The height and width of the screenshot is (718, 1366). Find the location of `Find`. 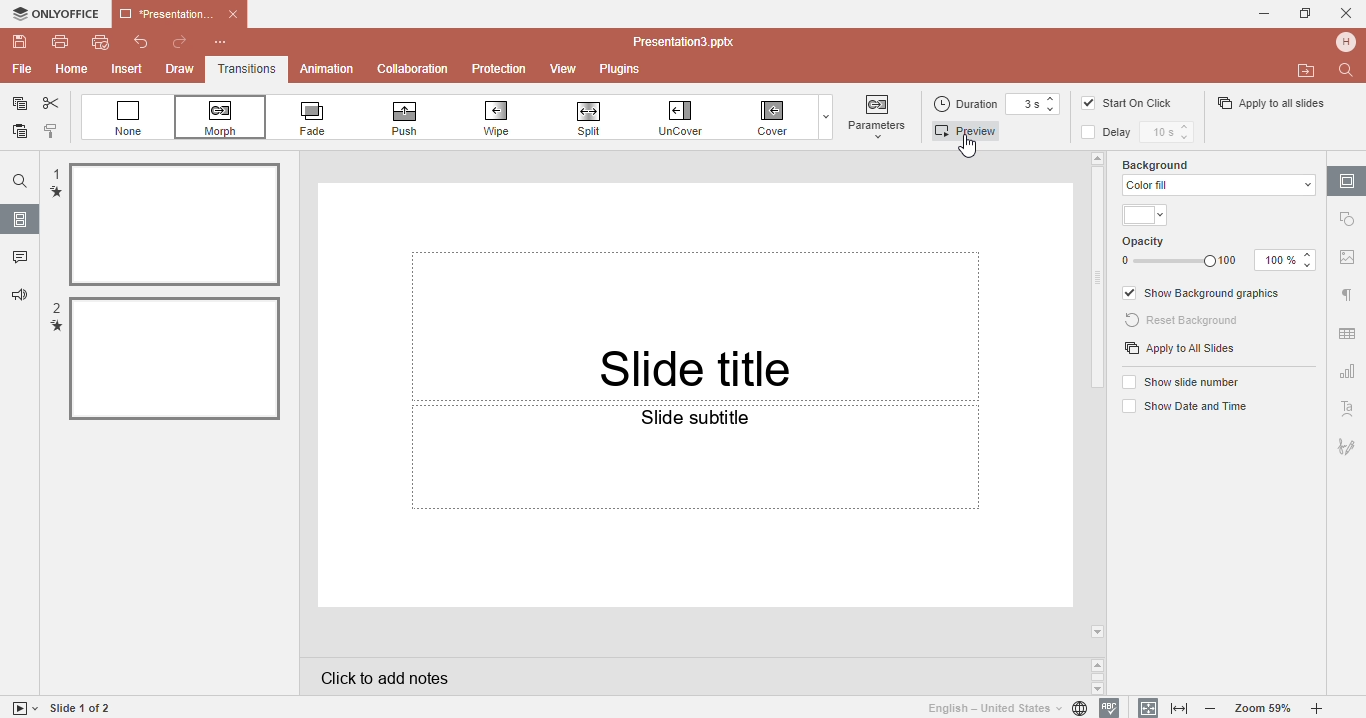

Find is located at coordinates (19, 181).